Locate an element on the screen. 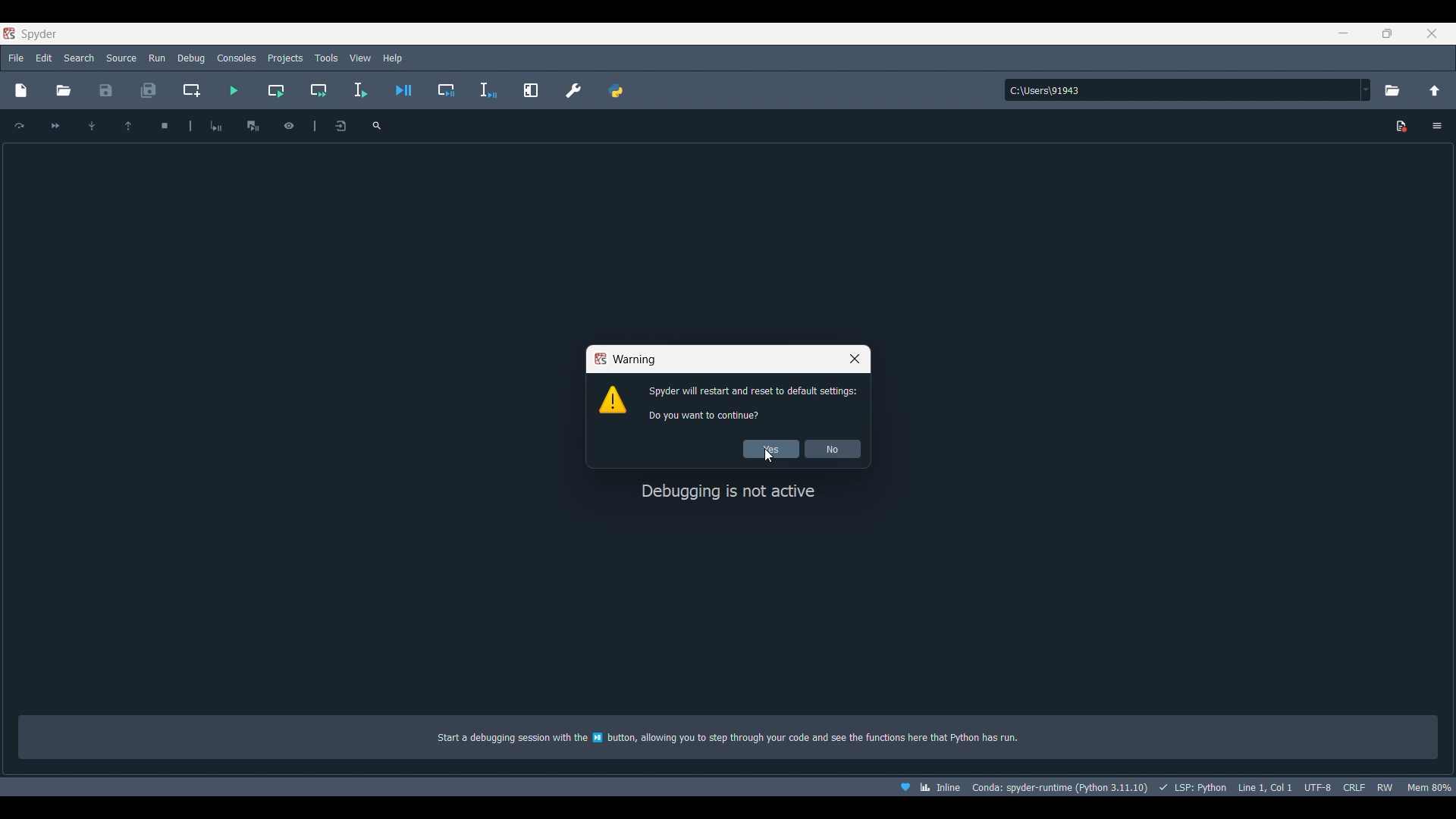 Image resolution: width=1456 pixels, height=819 pixels. Close interface is located at coordinates (1432, 33).